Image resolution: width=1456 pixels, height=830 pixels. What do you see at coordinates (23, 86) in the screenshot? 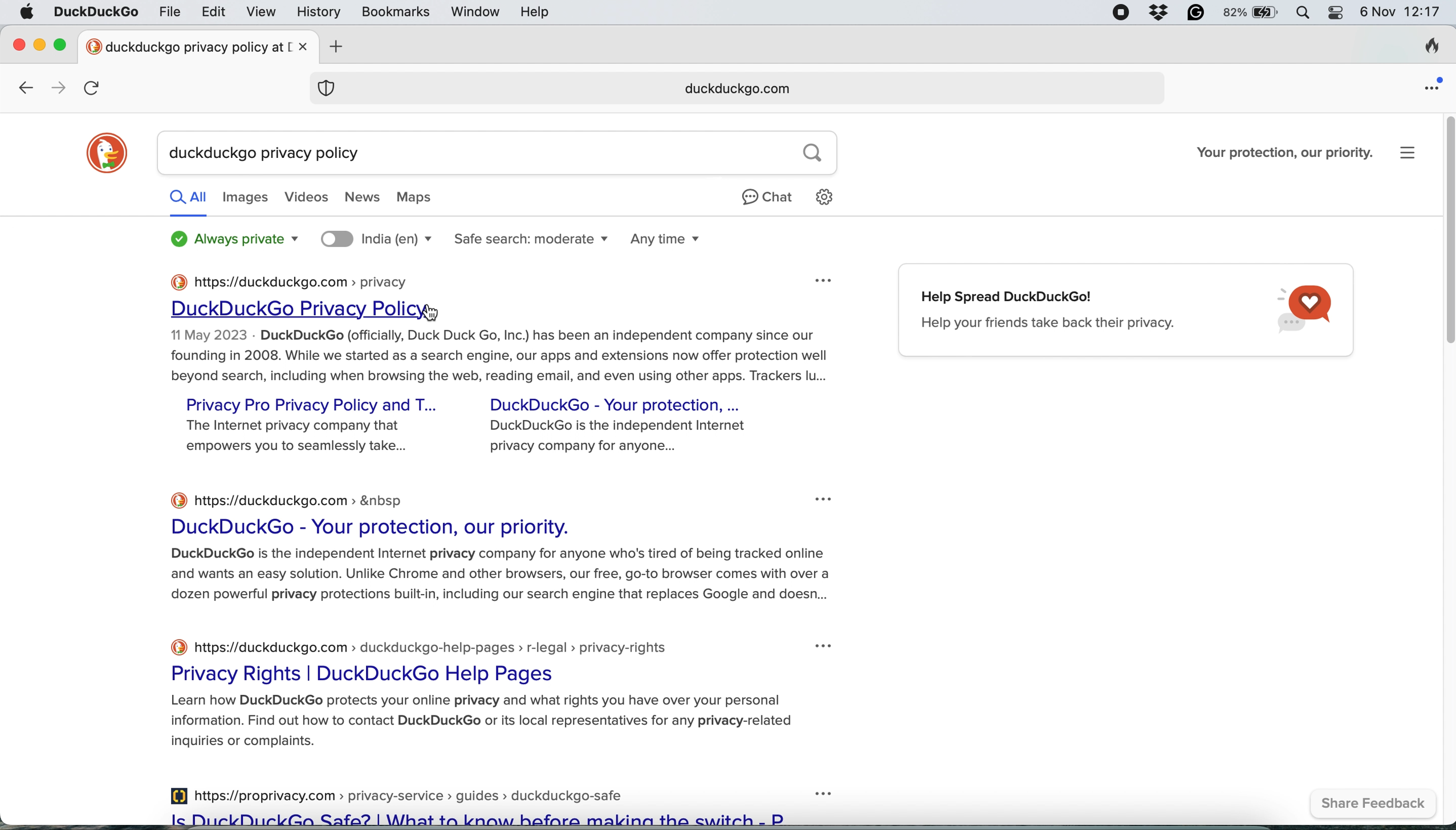
I see `go back` at bounding box center [23, 86].